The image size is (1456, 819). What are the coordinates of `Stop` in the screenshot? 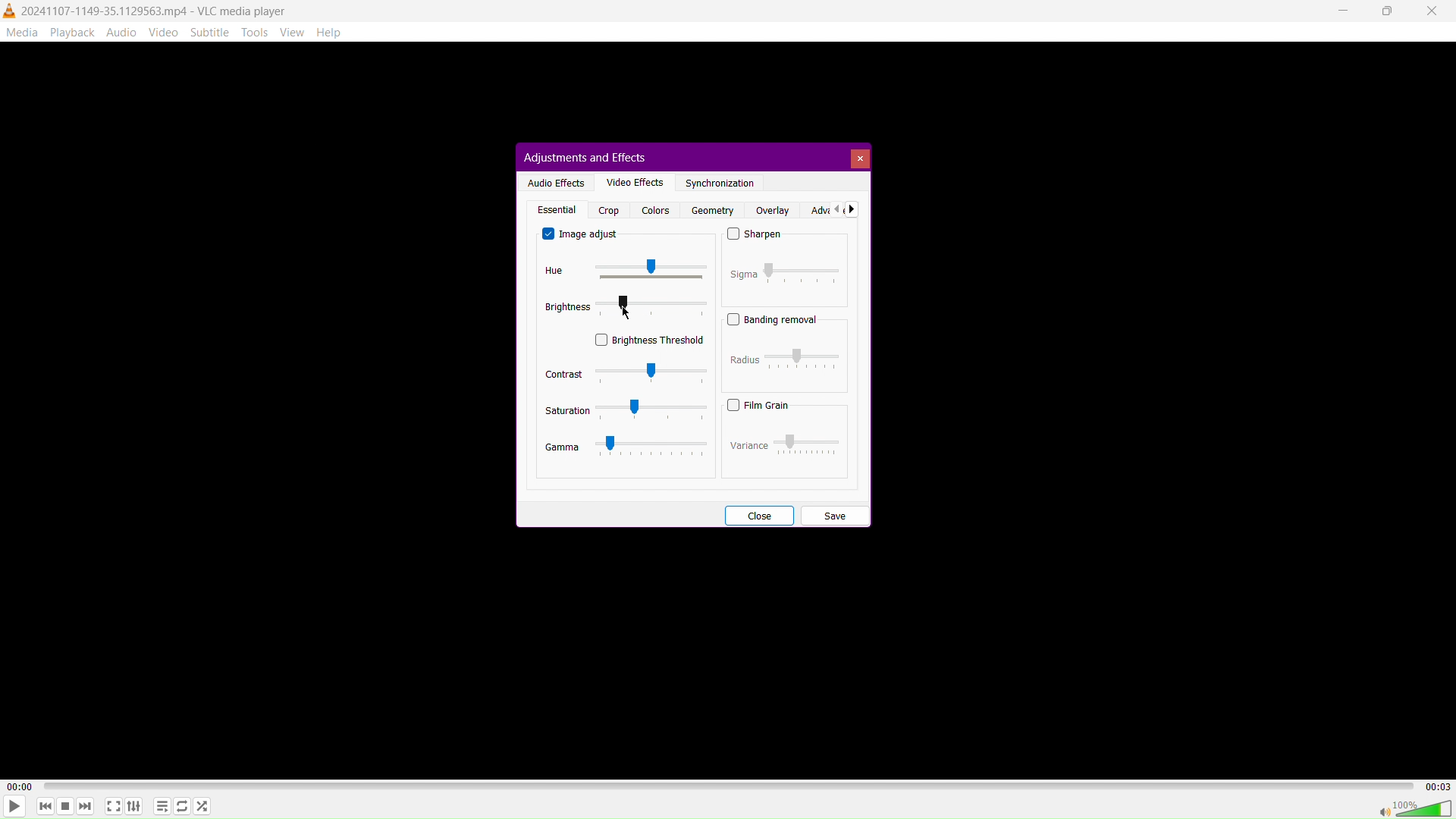 It's located at (64, 808).